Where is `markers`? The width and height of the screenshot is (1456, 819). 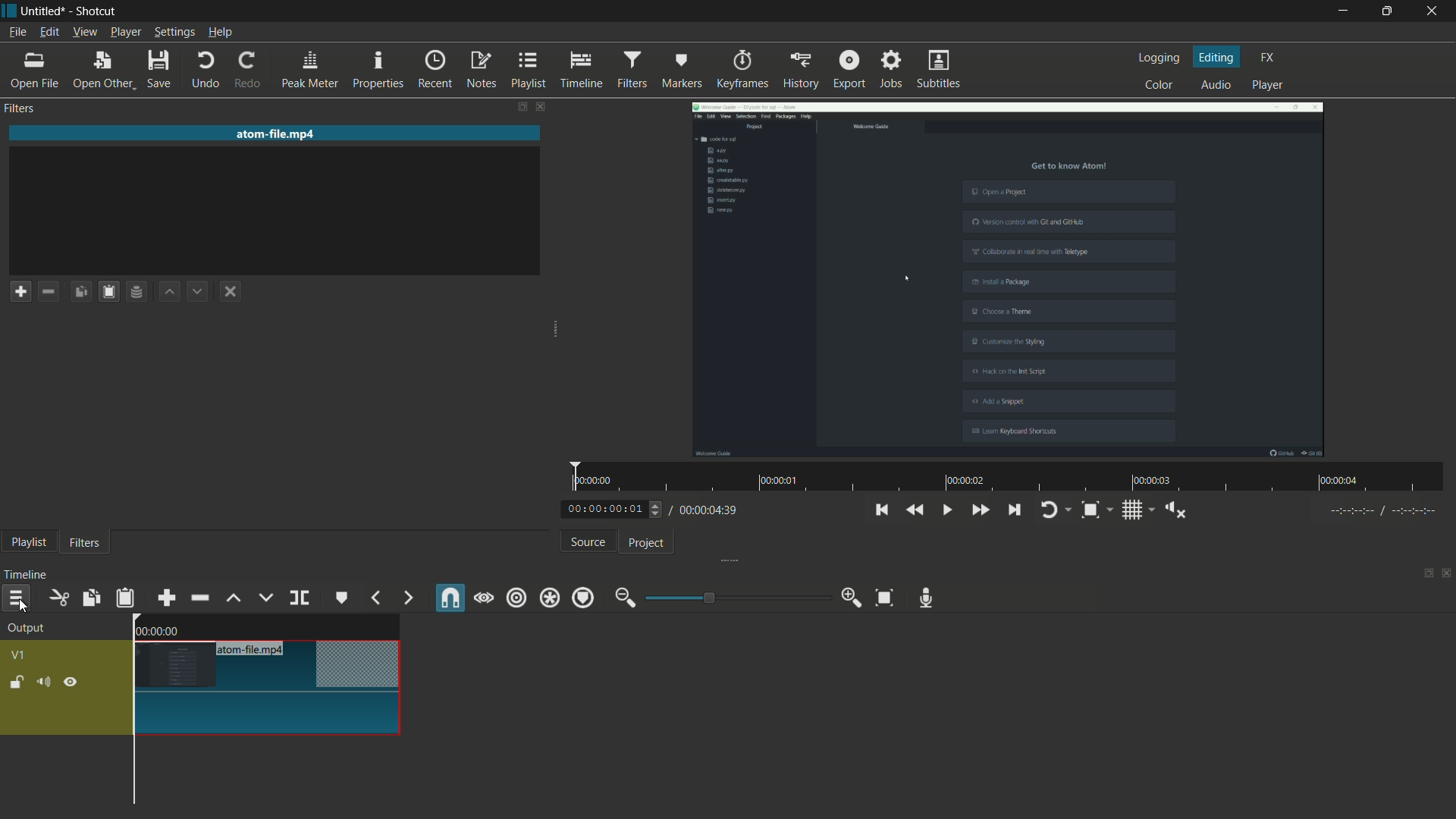 markers is located at coordinates (683, 69).